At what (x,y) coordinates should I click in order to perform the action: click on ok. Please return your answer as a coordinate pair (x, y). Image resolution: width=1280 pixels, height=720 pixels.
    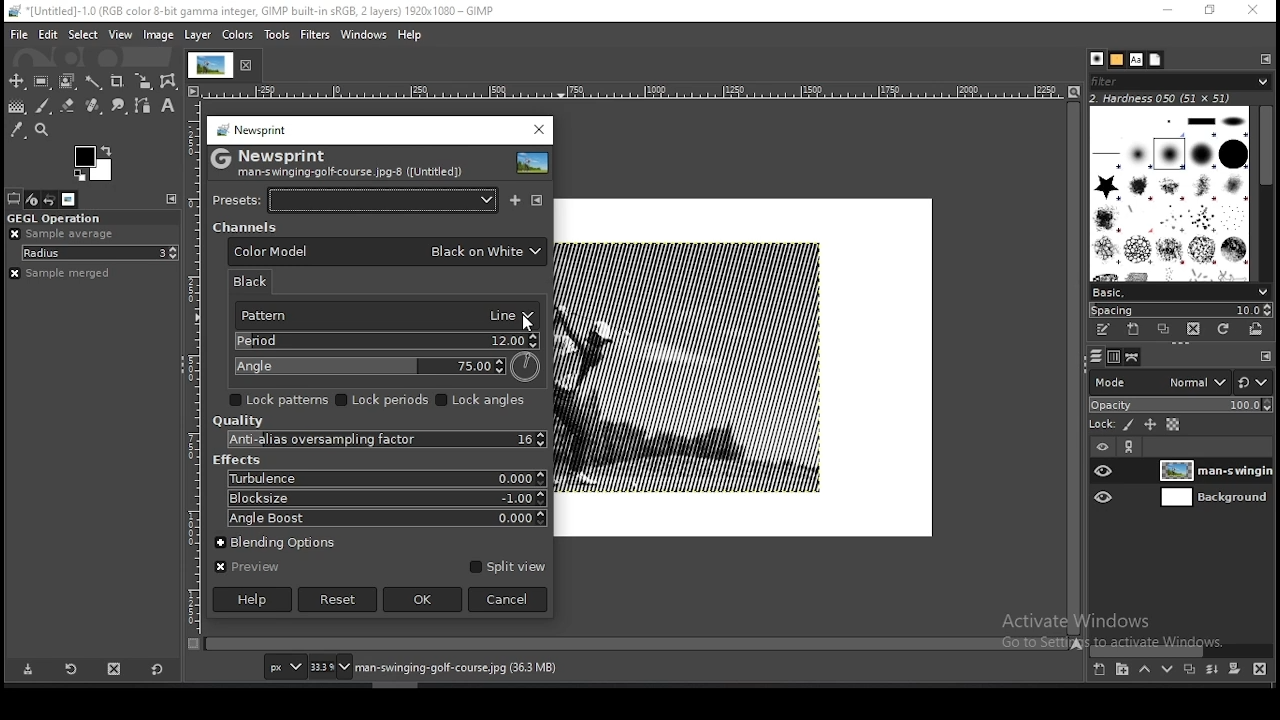
    Looking at the image, I should click on (421, 599).